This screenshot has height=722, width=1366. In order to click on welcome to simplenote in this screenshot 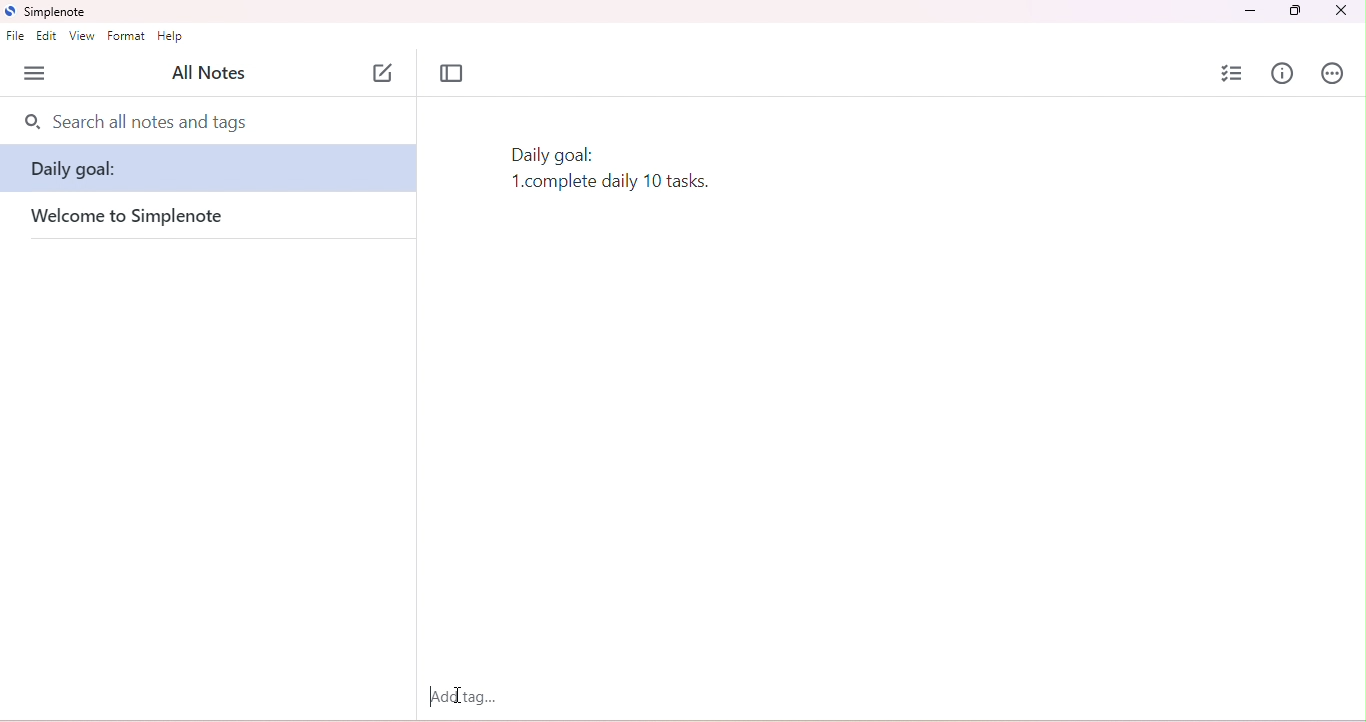, I will do `click(152, 218)`.